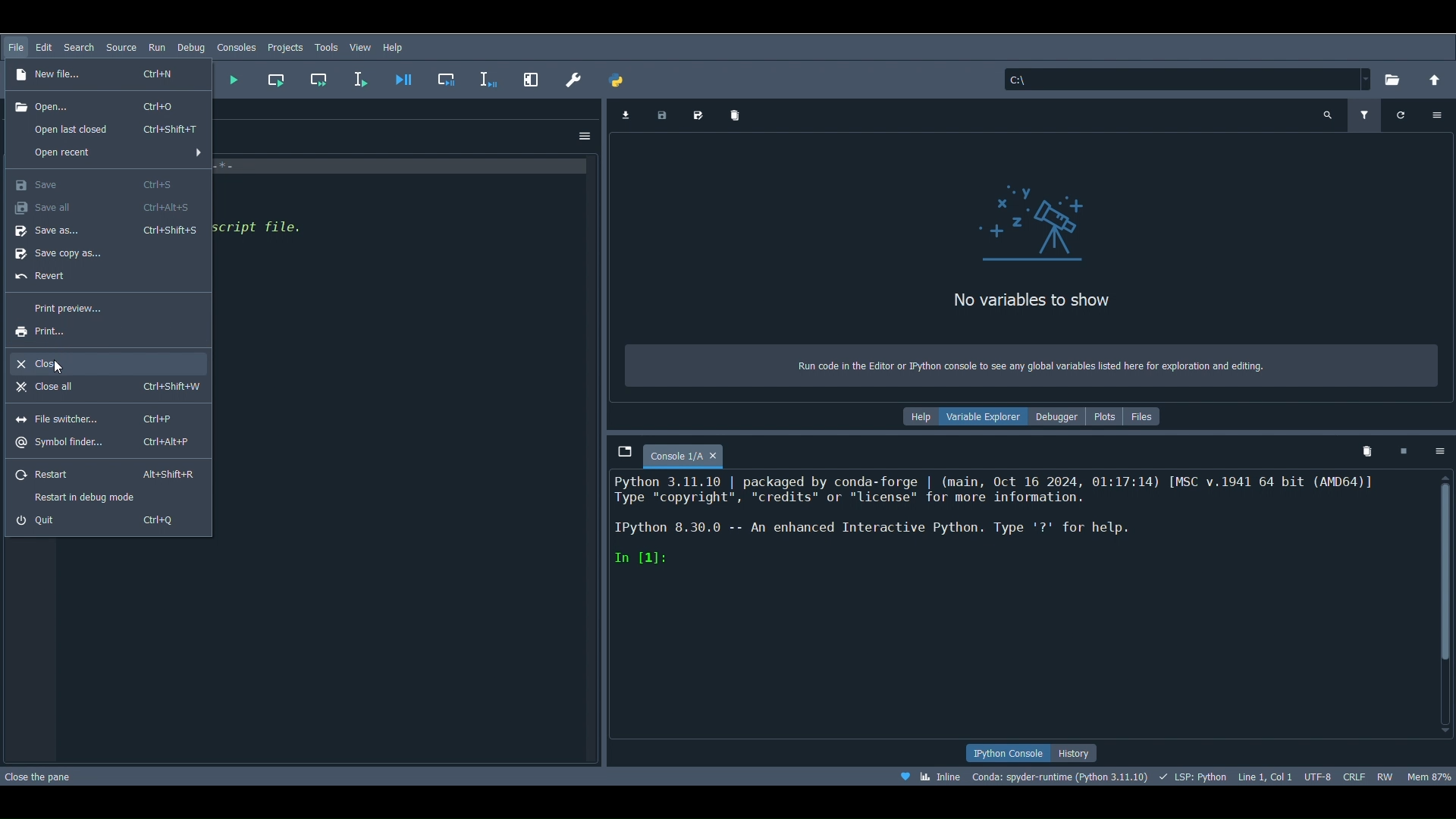 The width and height of the screenshot is (1456, 819). Describe the element at coordinates (1438, 452) in the screenshot. I see `Options` at that location.